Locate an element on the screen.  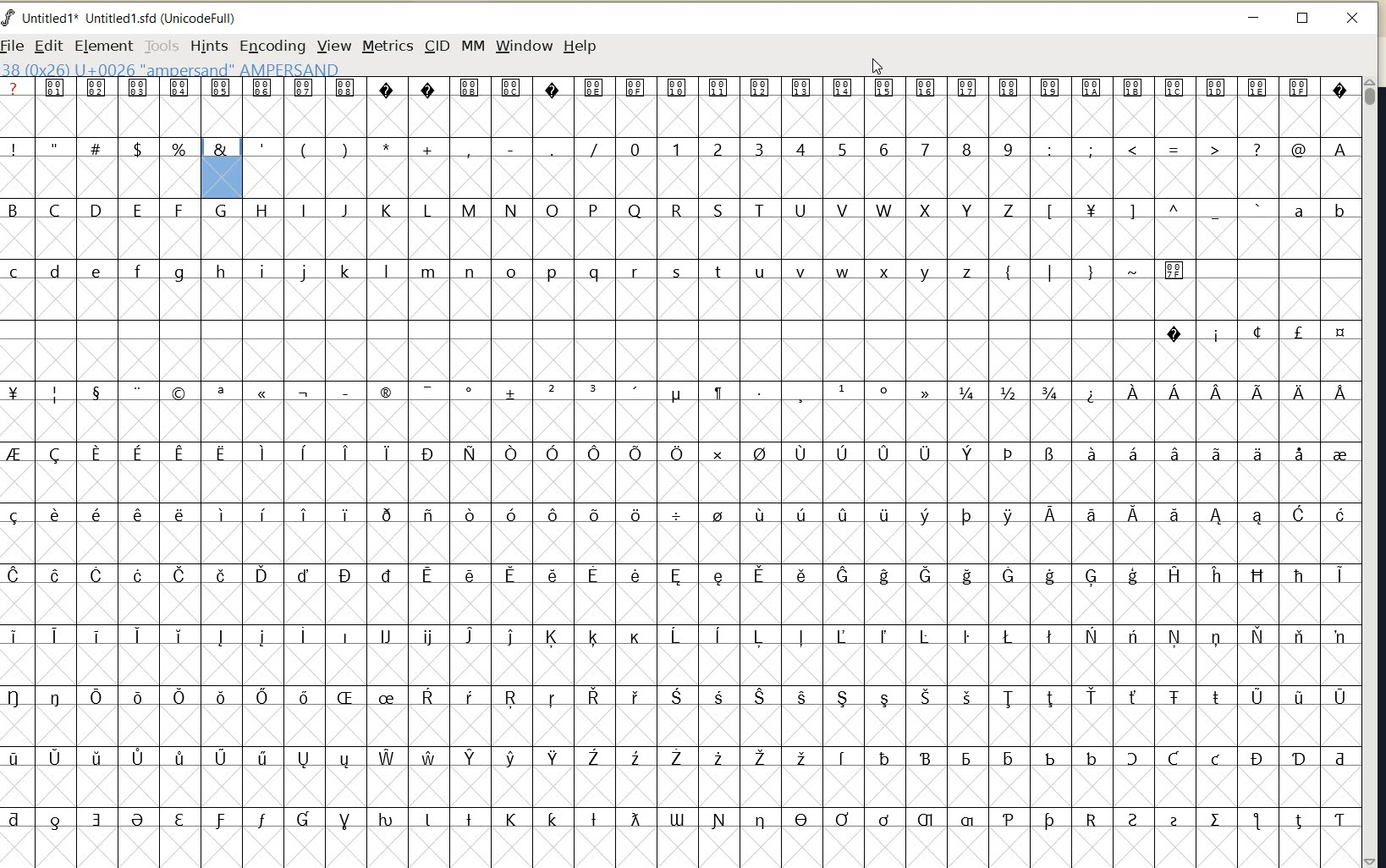
ENCODING is located at coordinates (272, 47).